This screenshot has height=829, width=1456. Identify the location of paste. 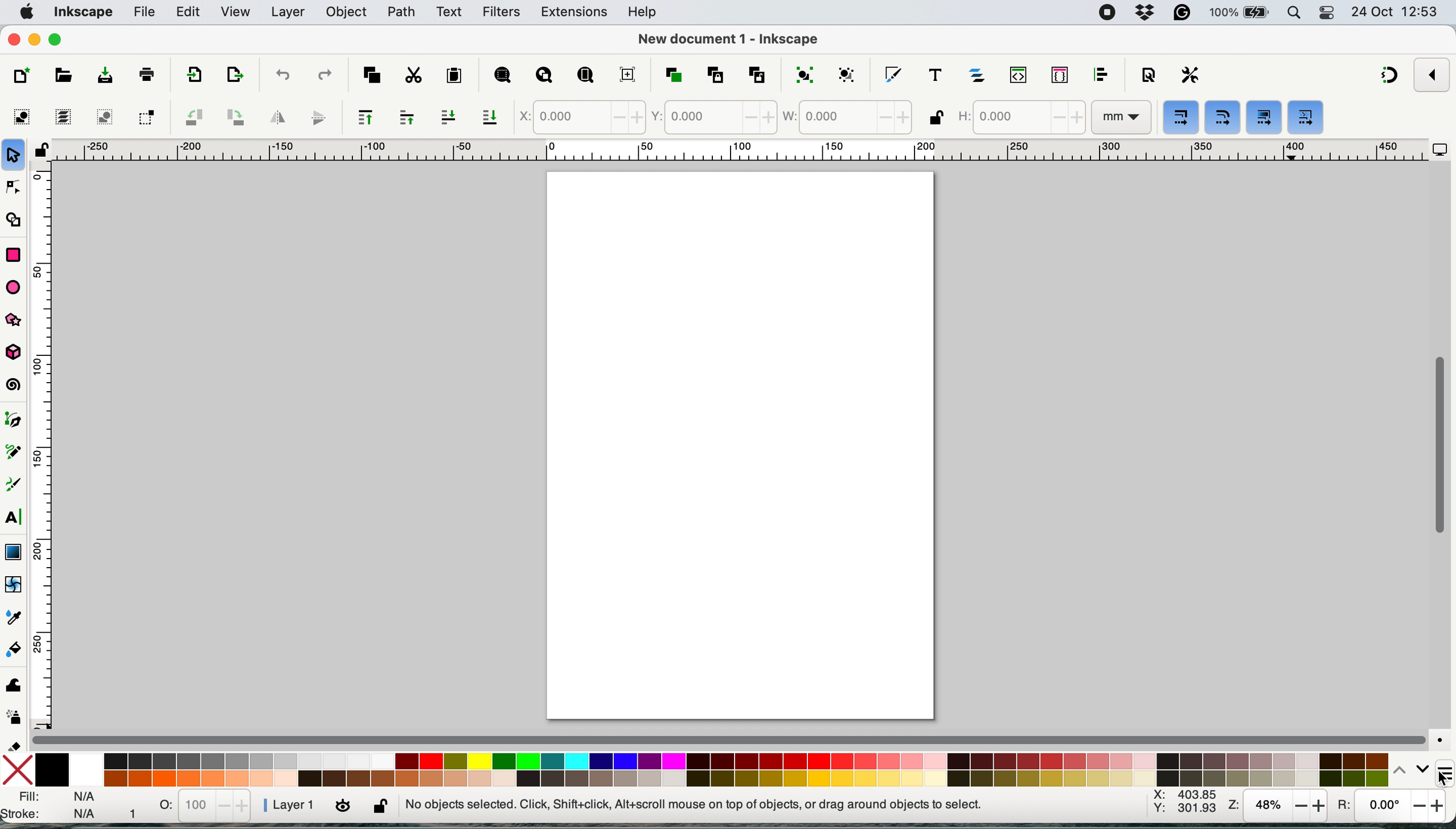
(452, 77).